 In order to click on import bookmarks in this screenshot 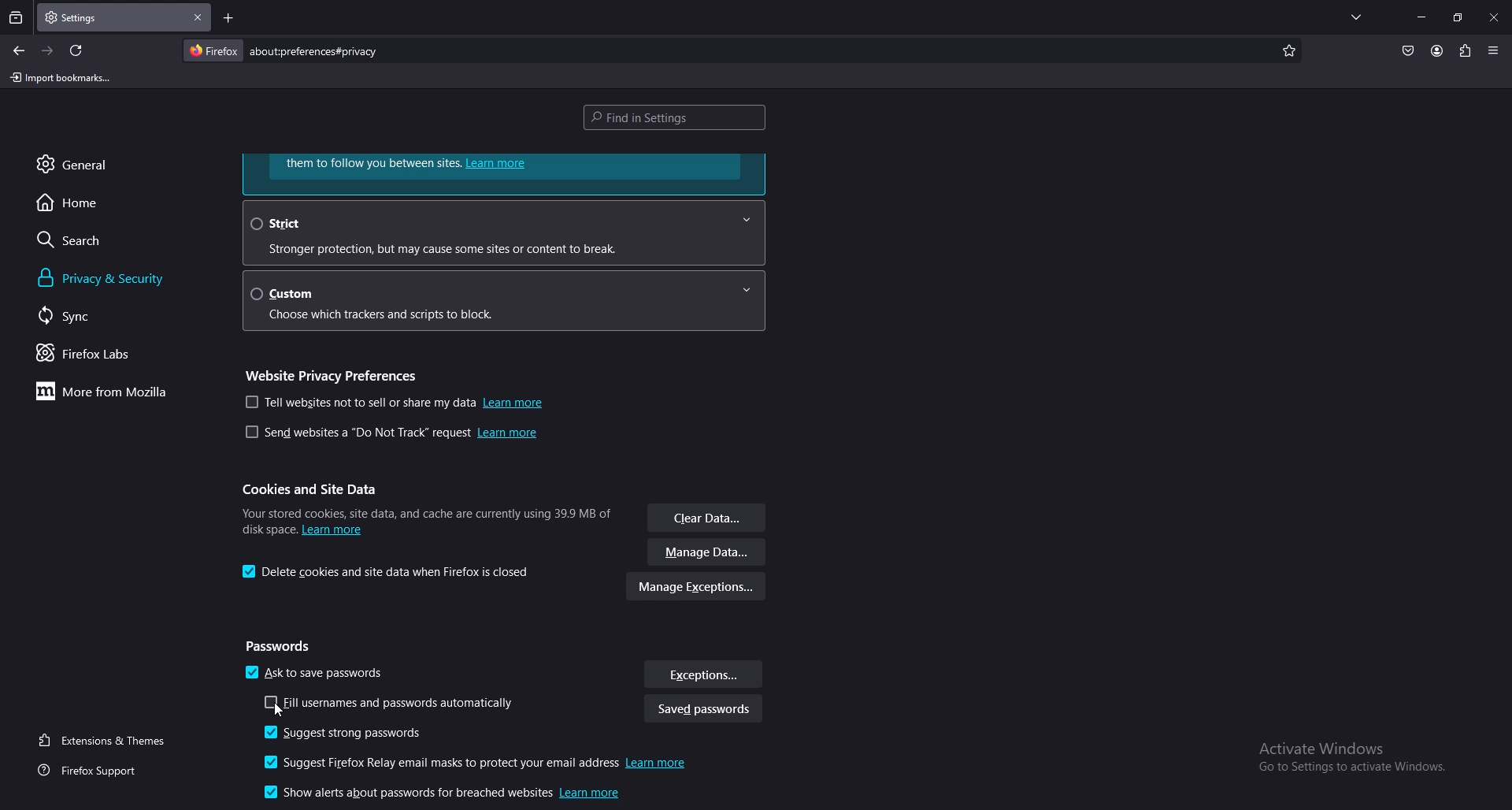, I will do `click(61, 79)`.